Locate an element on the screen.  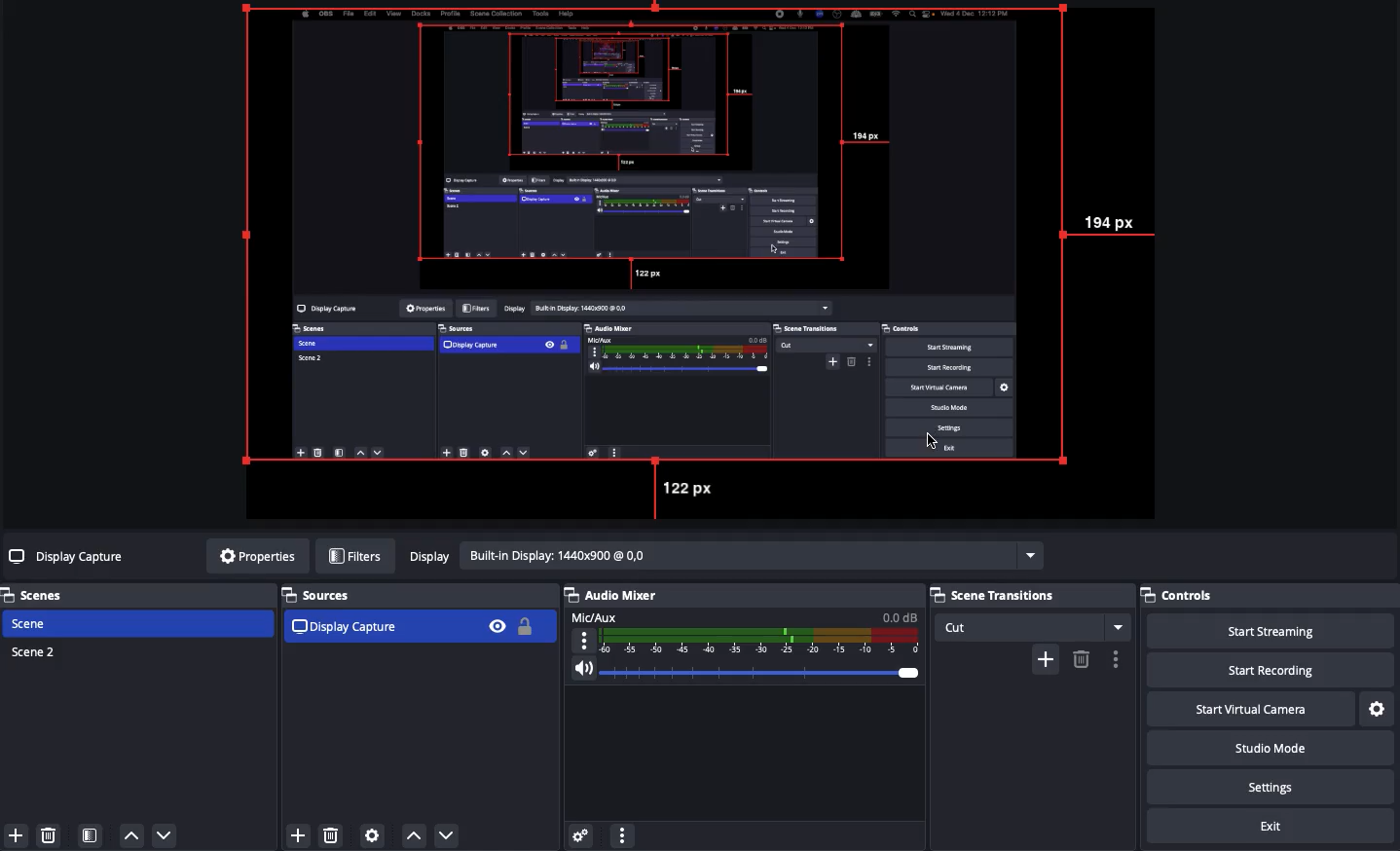
Add is located at coordinates (14, 833).